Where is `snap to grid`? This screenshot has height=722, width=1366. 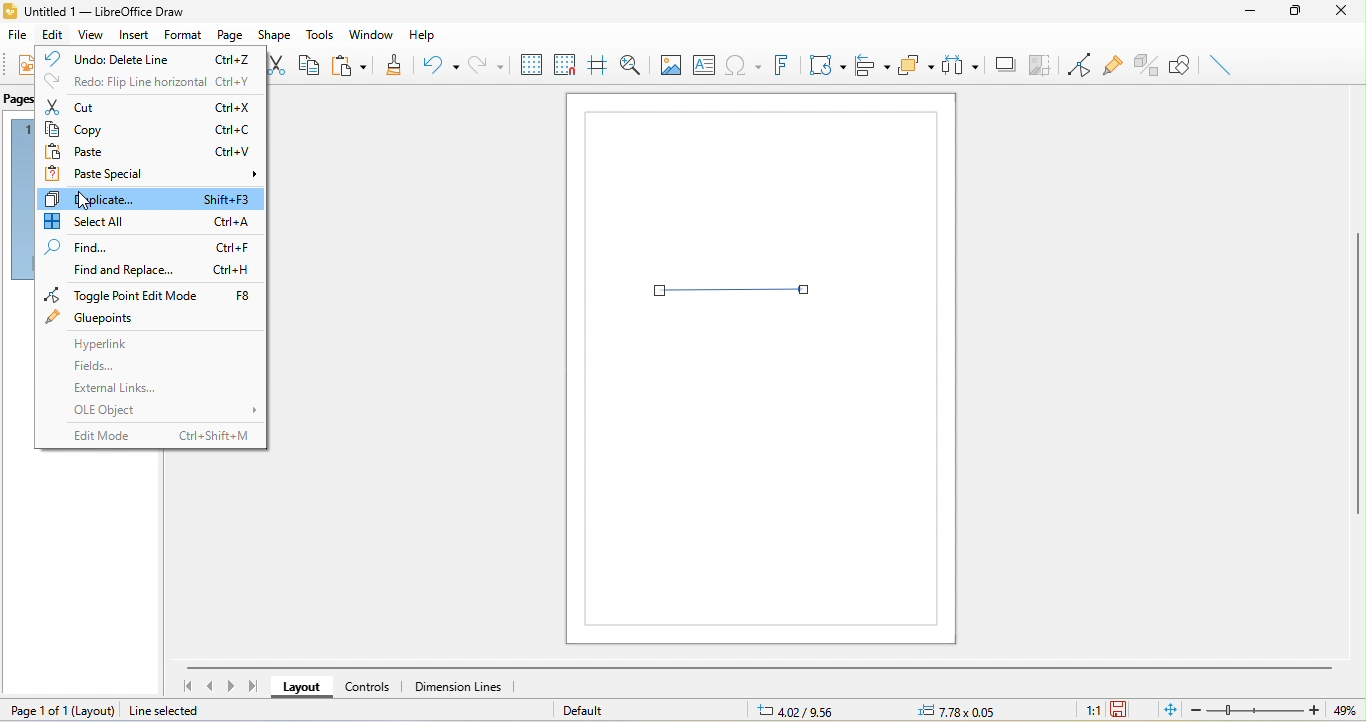 snap to grid is located at coordinates (564, 62).